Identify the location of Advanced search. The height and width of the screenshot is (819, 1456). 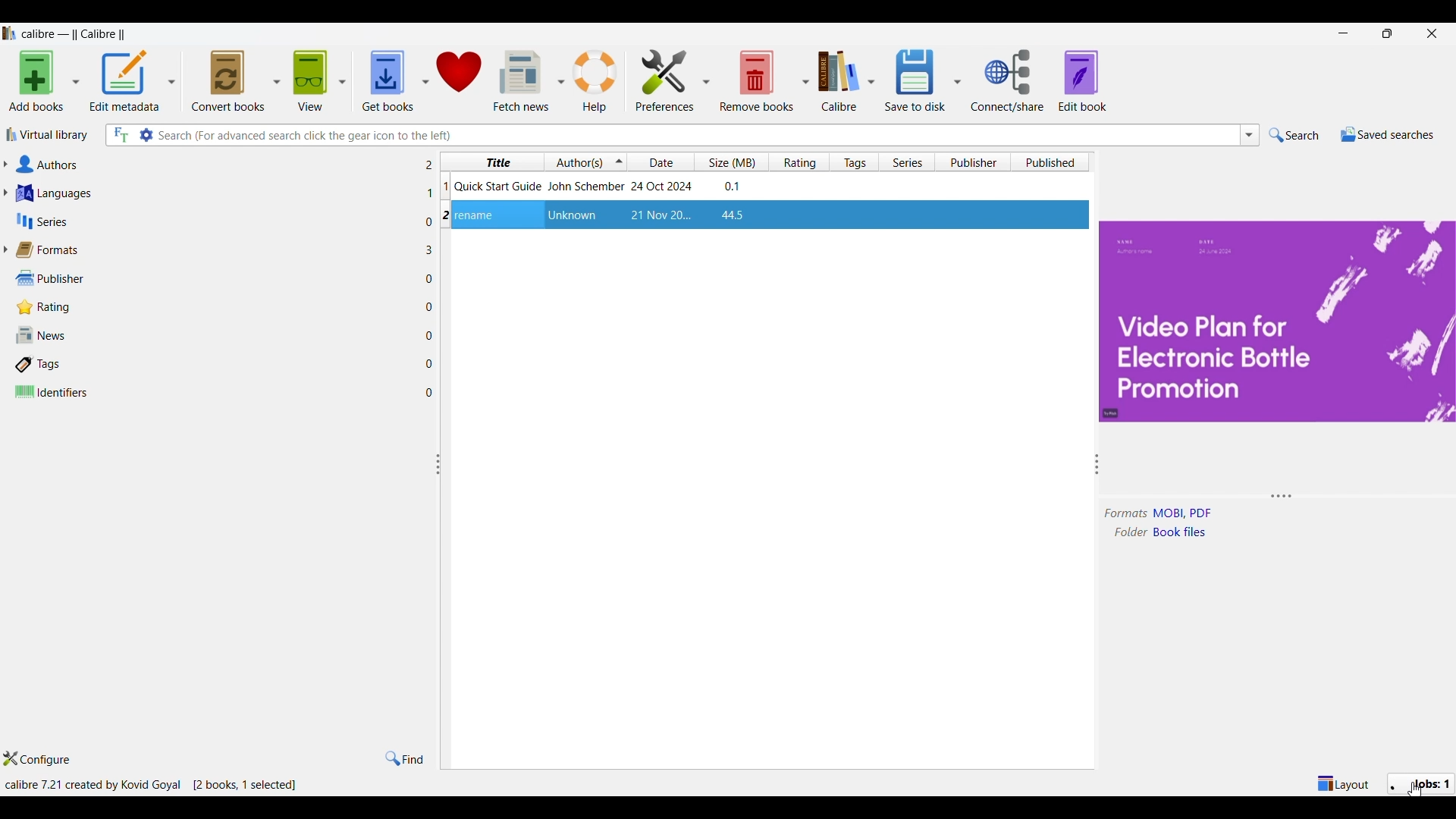
(146, 135).